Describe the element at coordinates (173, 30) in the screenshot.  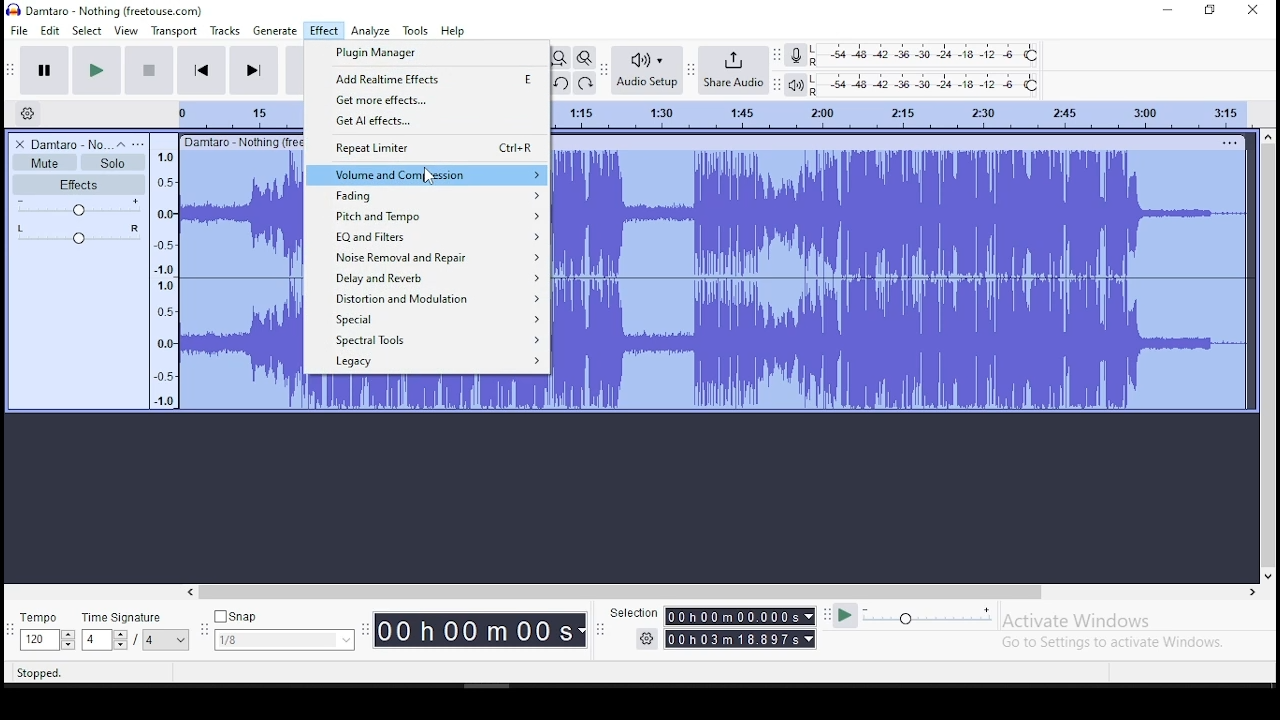
I see `transport` at that location.